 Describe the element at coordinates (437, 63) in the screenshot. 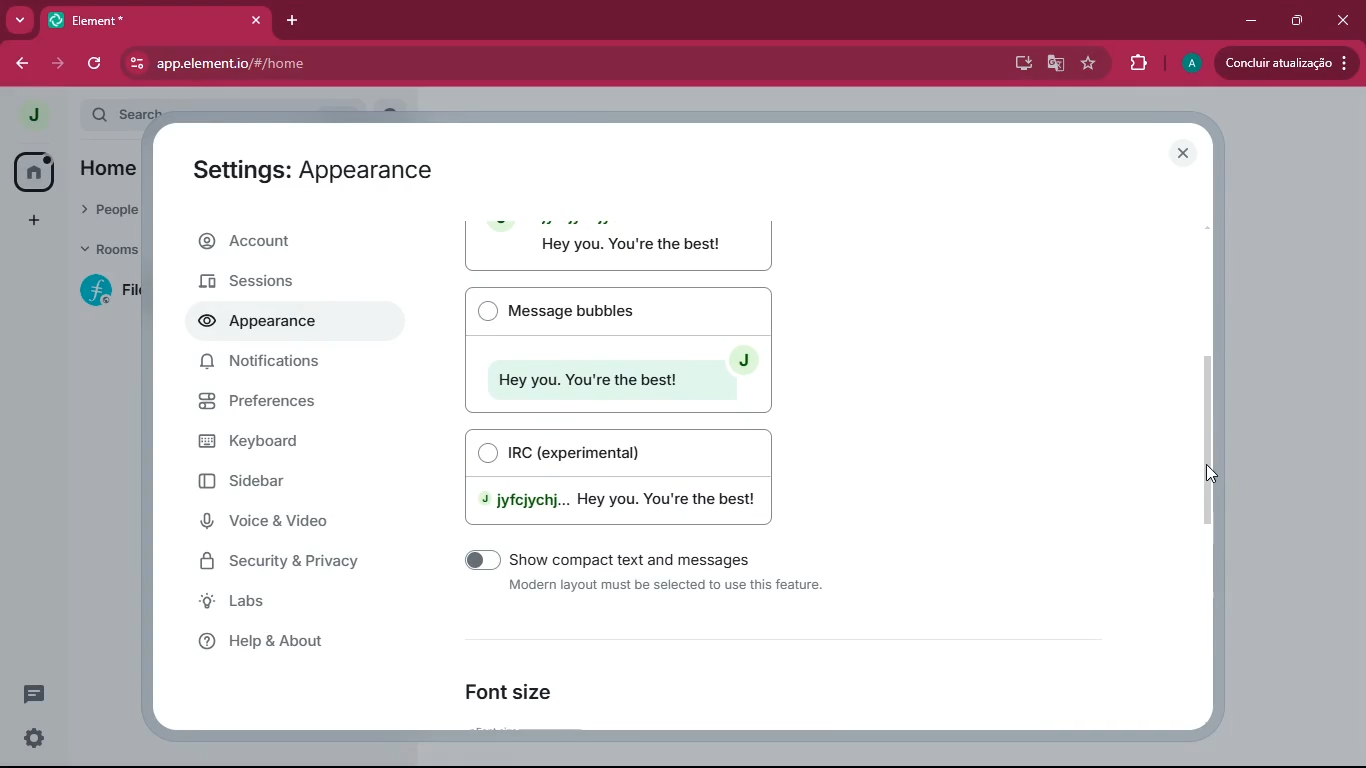

I see `app.elementio/#/home` at that location.